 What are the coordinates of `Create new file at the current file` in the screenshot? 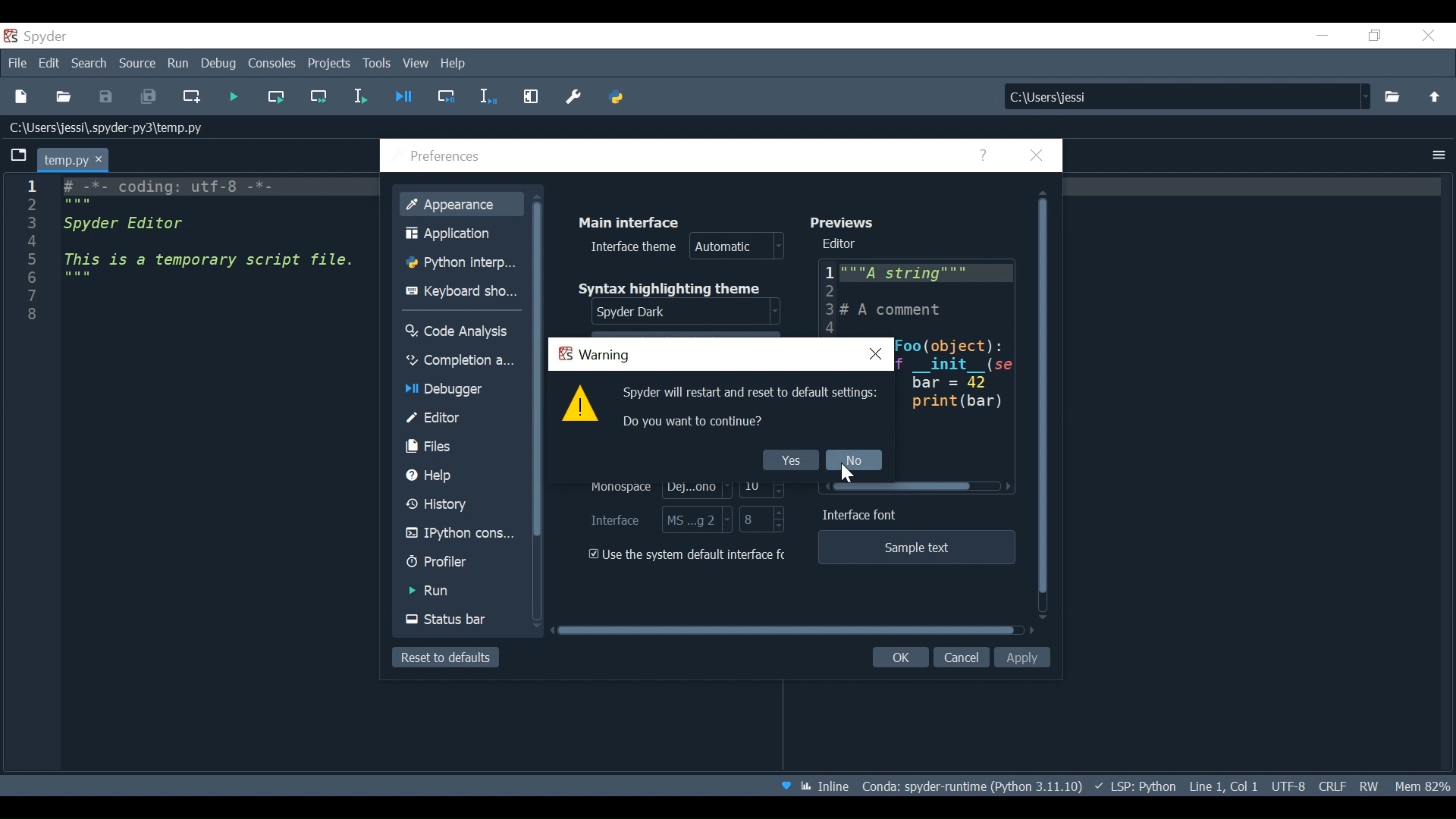 It's located at (192, 97).